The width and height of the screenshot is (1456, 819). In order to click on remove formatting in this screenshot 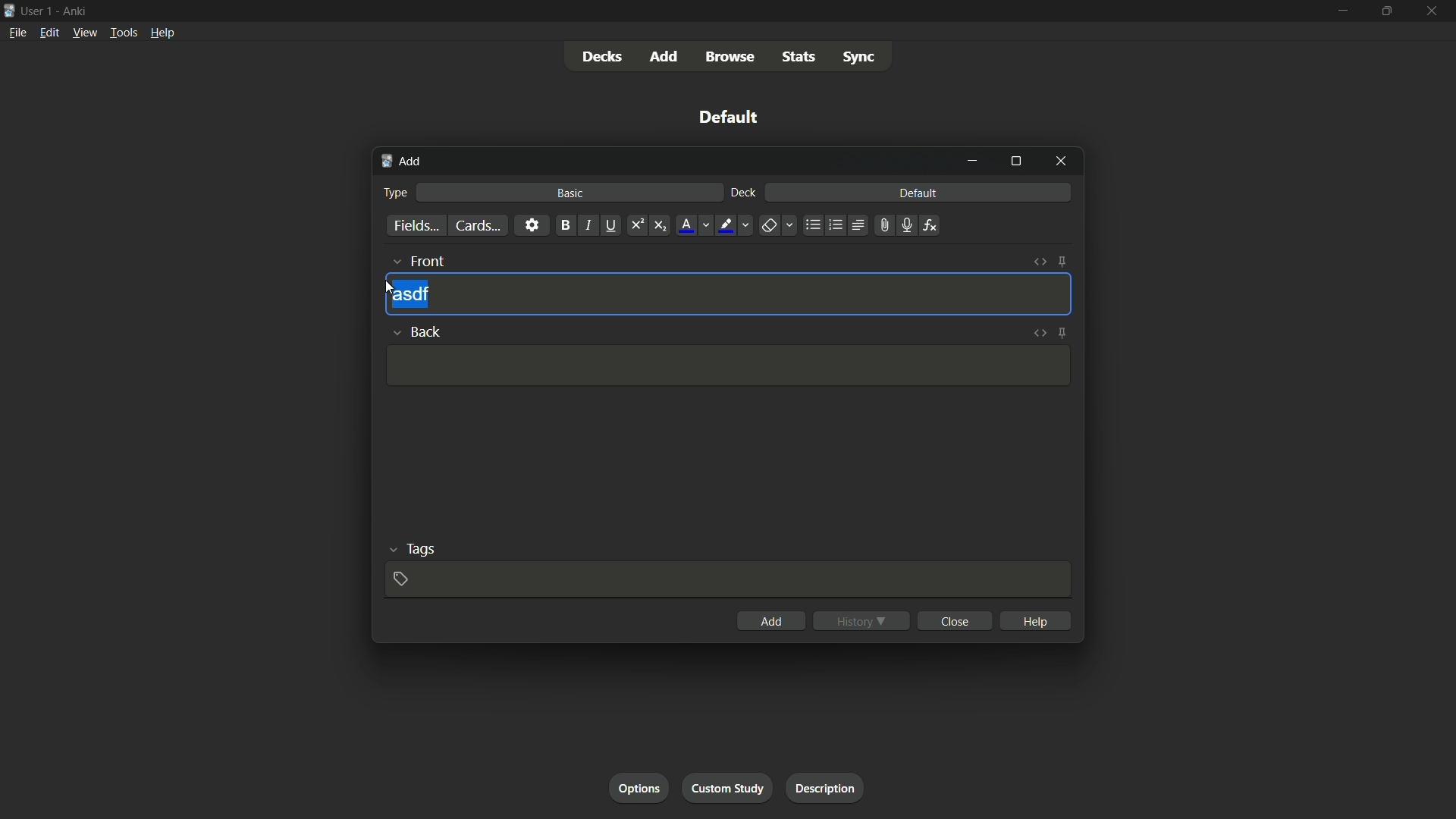, I will do `click(776, 225)`.